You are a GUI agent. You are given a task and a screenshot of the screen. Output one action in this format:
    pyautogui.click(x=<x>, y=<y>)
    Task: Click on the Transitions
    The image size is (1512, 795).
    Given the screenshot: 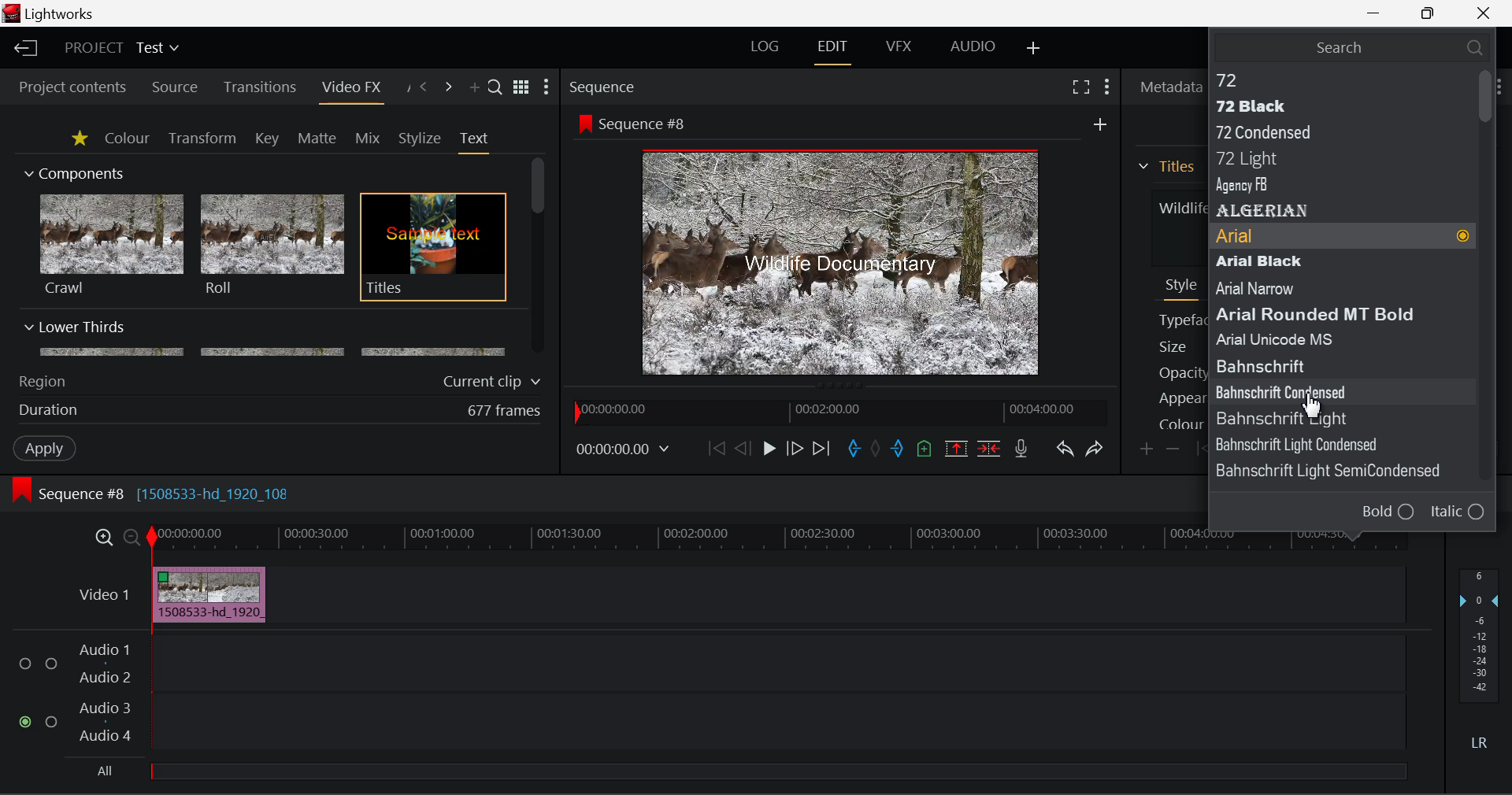 What is the action you would take?
    pyautogui.click(x=260, y=87)
    